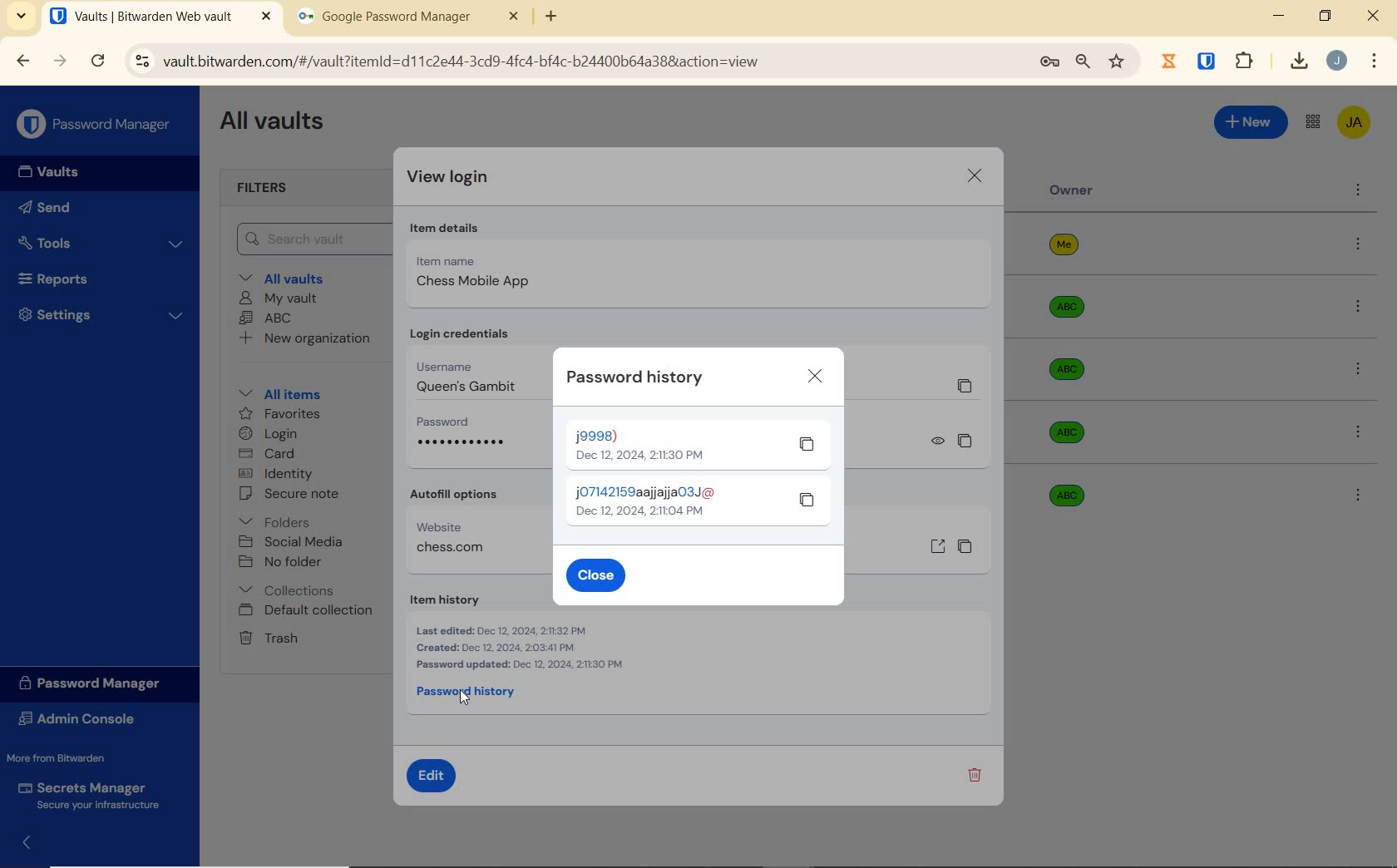  I want to click on All items, so click(280, 394).